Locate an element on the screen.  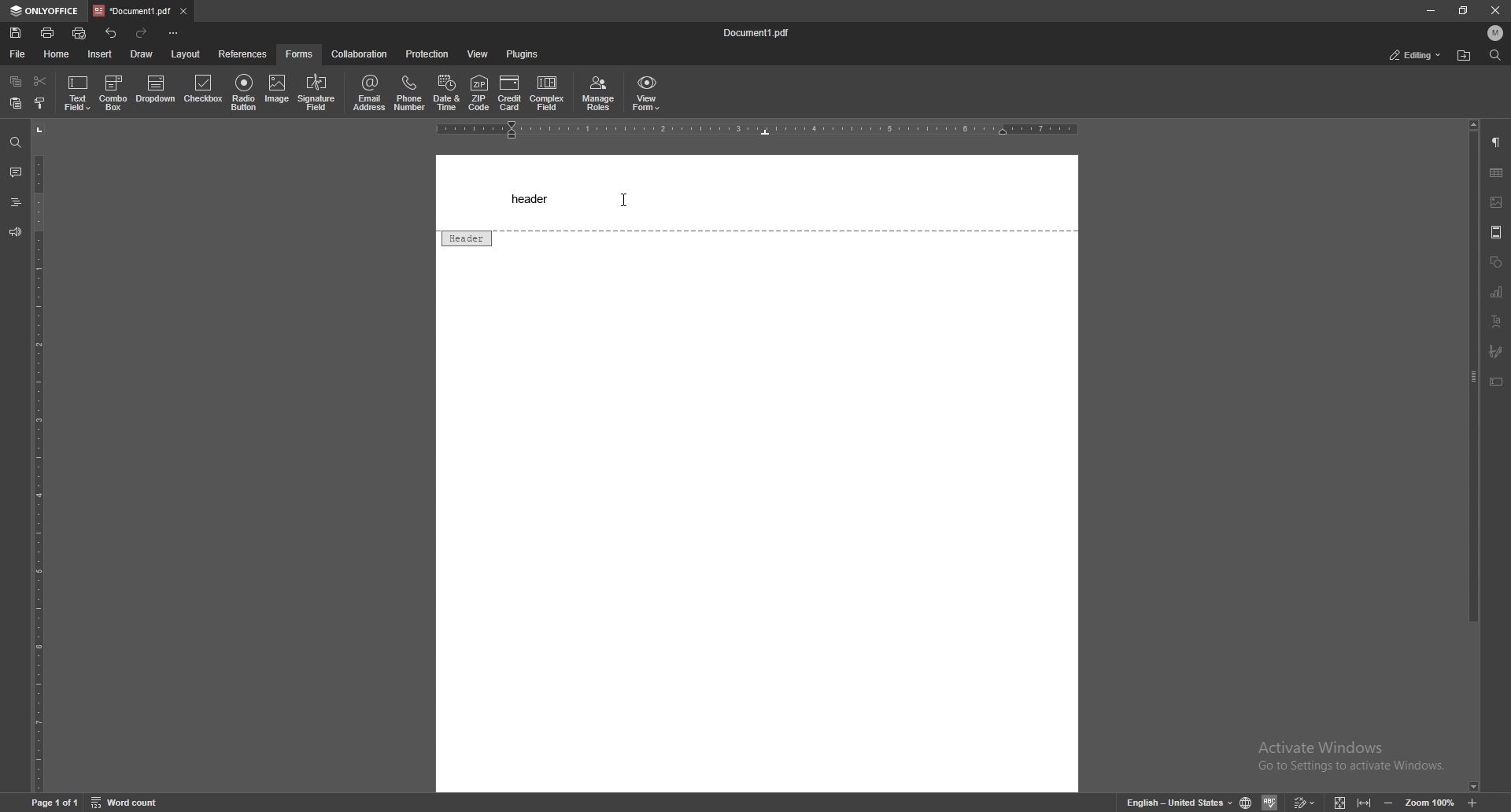
zoom out is located at coordinates (1387, 802).